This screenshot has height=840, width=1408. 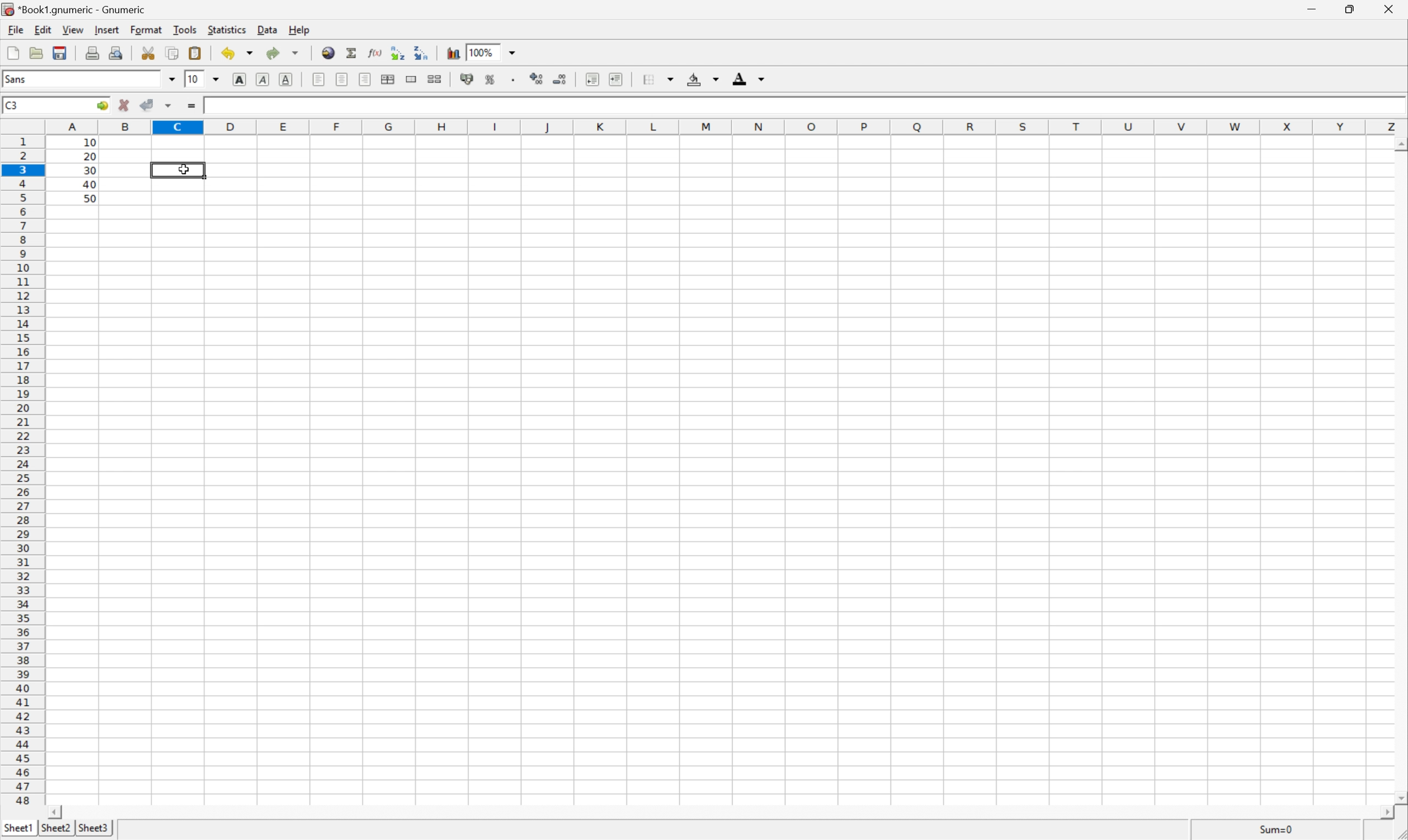 What do you see at coordinates (79, 9) in the screenshot?
I see `*Book1.gnumeric - Gnumeric` at bounding box center [79, 9].